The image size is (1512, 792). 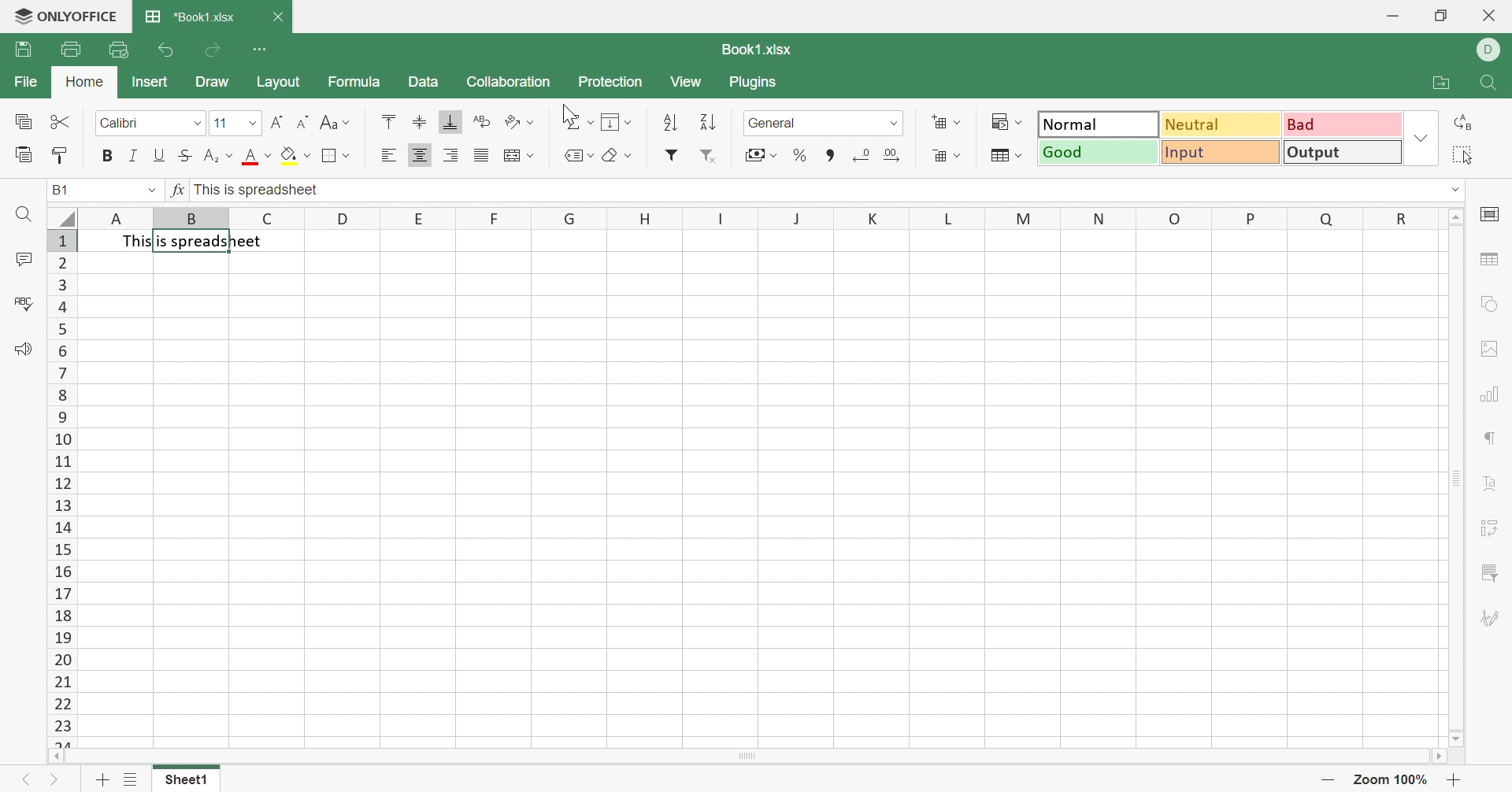 I want to click on Borders, so click(x=332, y=156).